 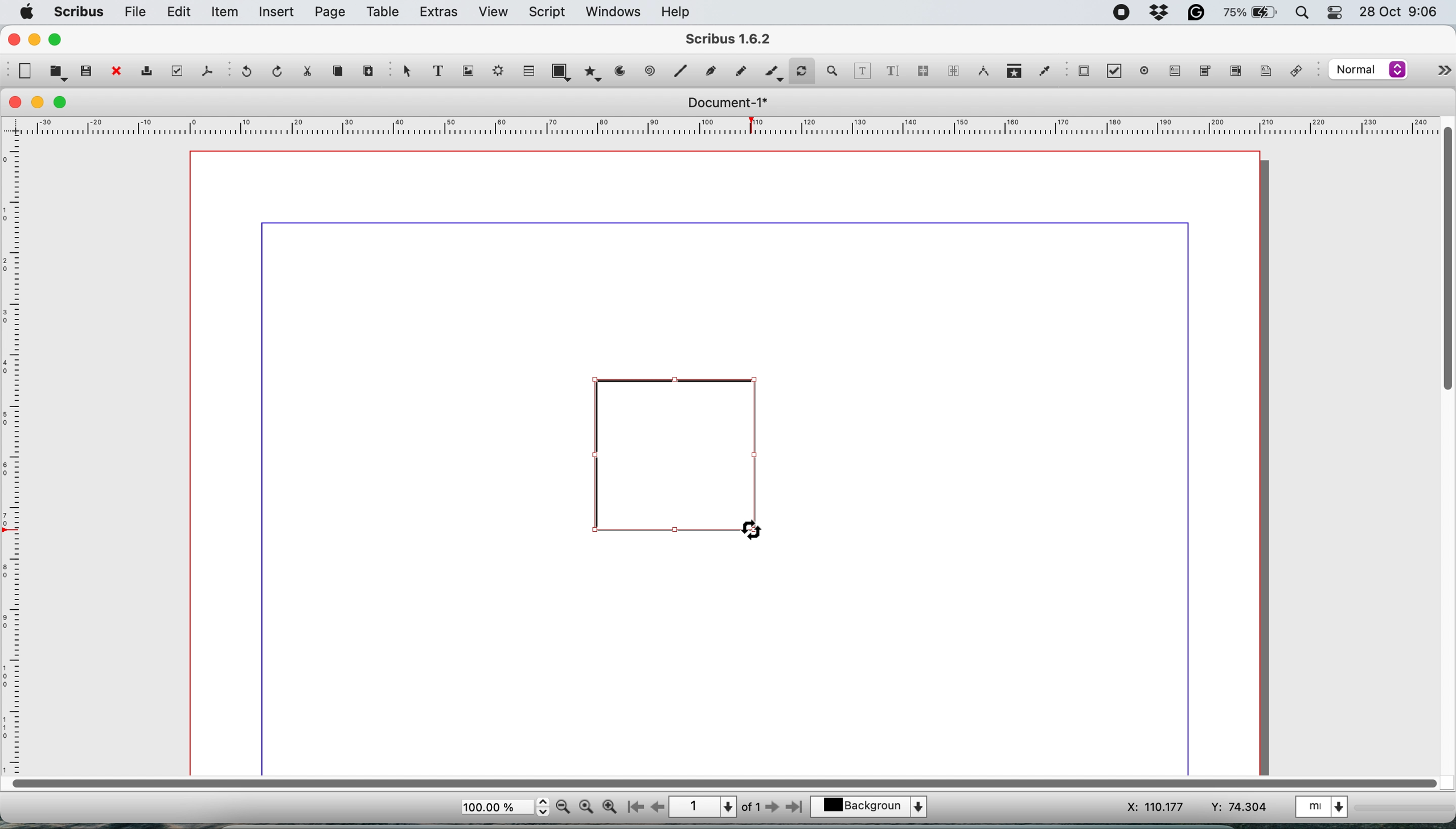 I want to click on render frame, so click(x=501, y=73).